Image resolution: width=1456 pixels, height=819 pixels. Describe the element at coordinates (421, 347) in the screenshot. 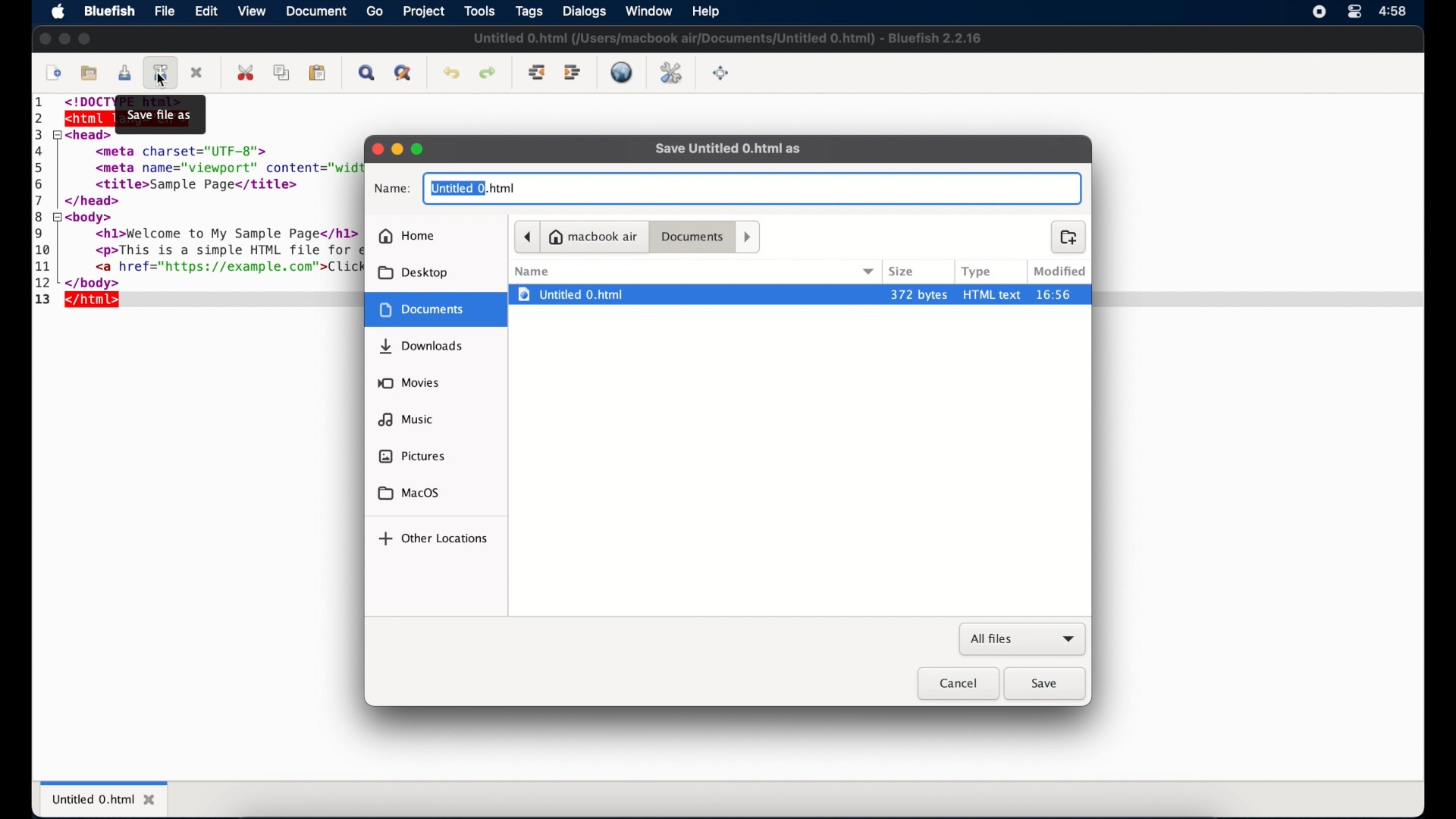

I see `downloads` at that location.